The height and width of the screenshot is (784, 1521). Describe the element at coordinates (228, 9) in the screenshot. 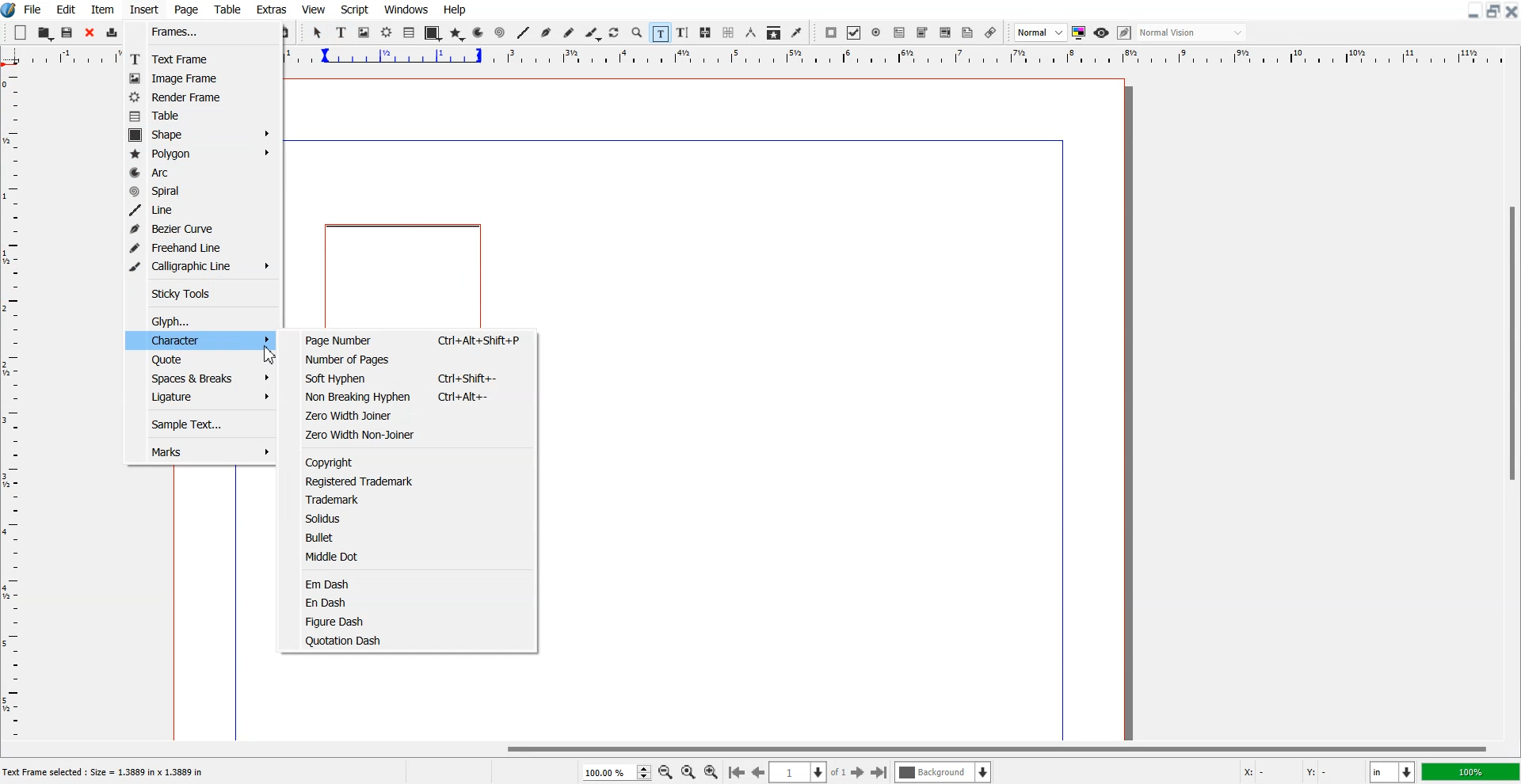

I see `Table` at that location.